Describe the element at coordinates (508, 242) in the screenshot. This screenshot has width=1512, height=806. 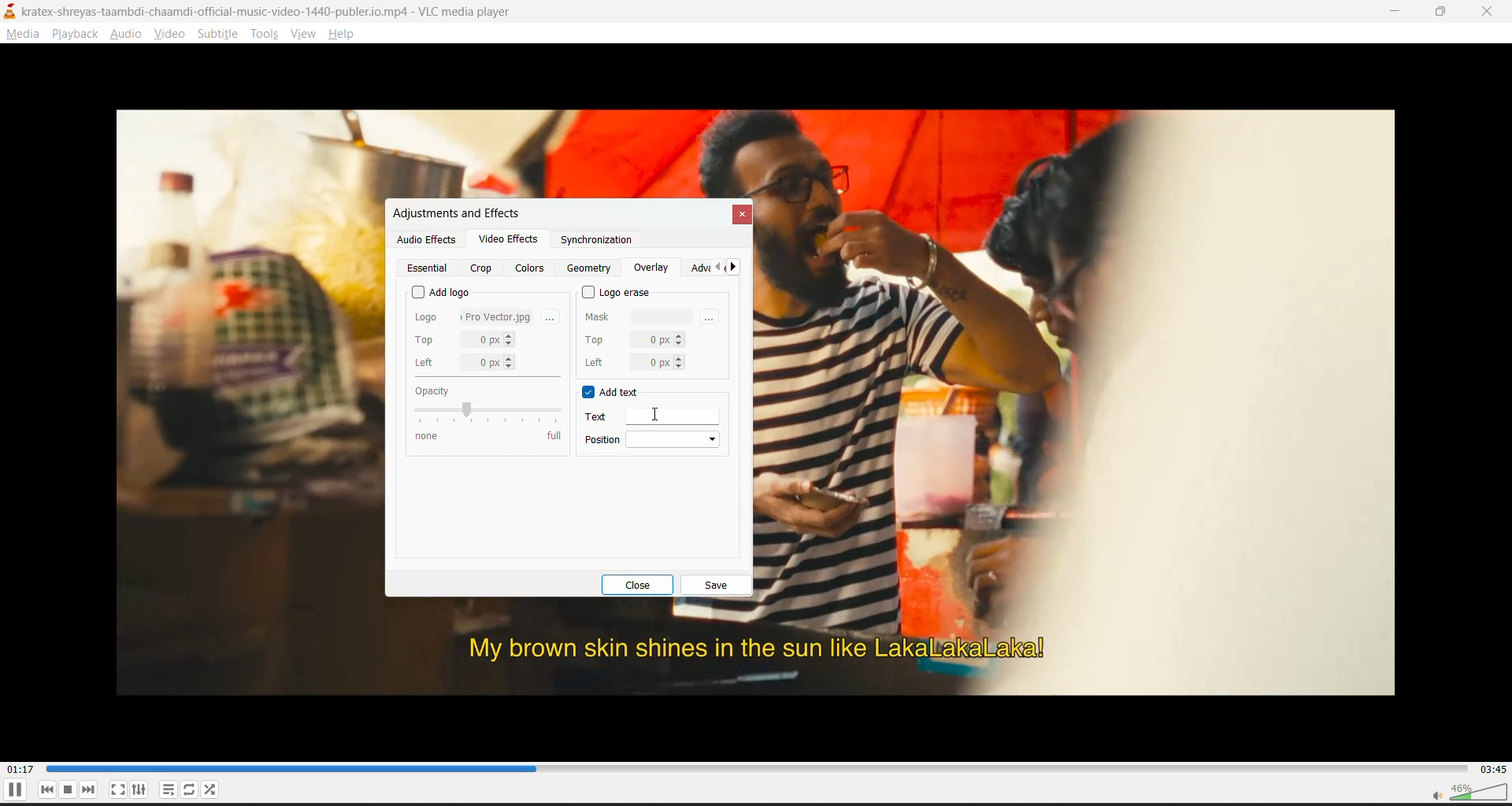
I see `video effects` at that location.